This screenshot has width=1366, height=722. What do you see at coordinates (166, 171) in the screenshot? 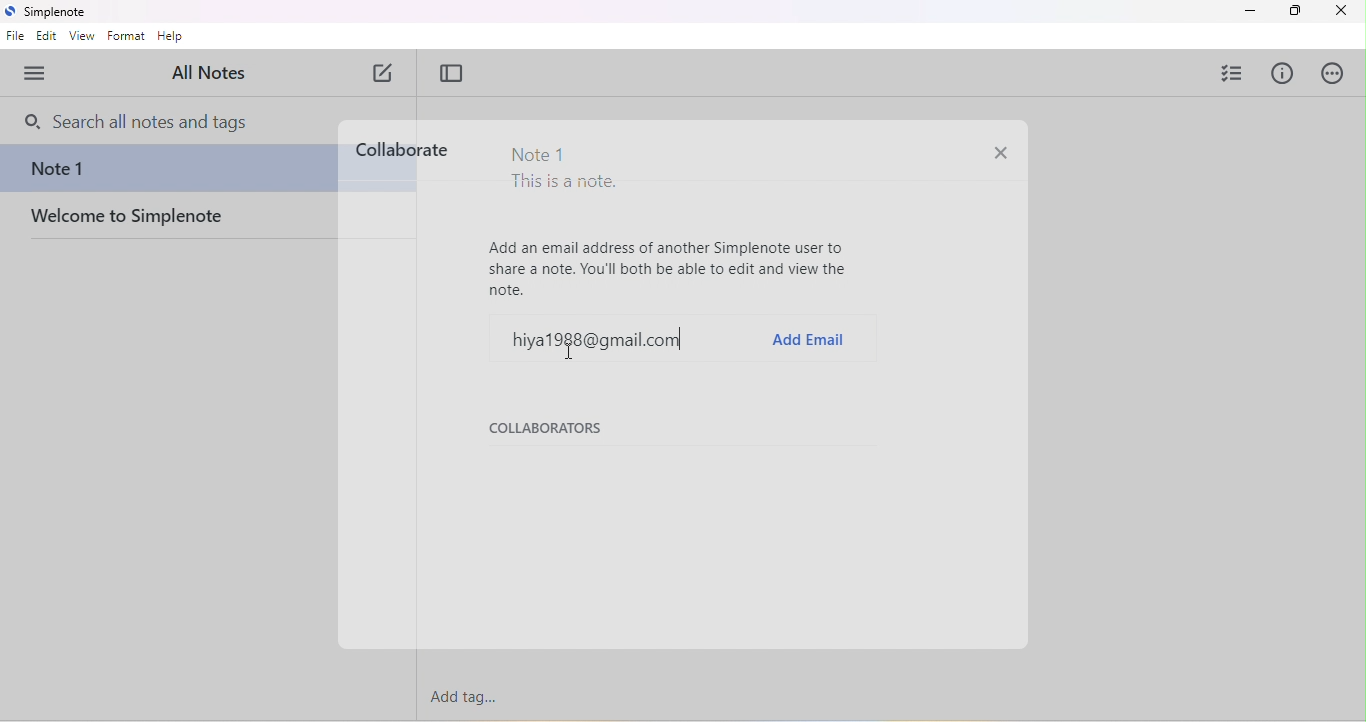
I see `note` at bounding box center [166, 171].